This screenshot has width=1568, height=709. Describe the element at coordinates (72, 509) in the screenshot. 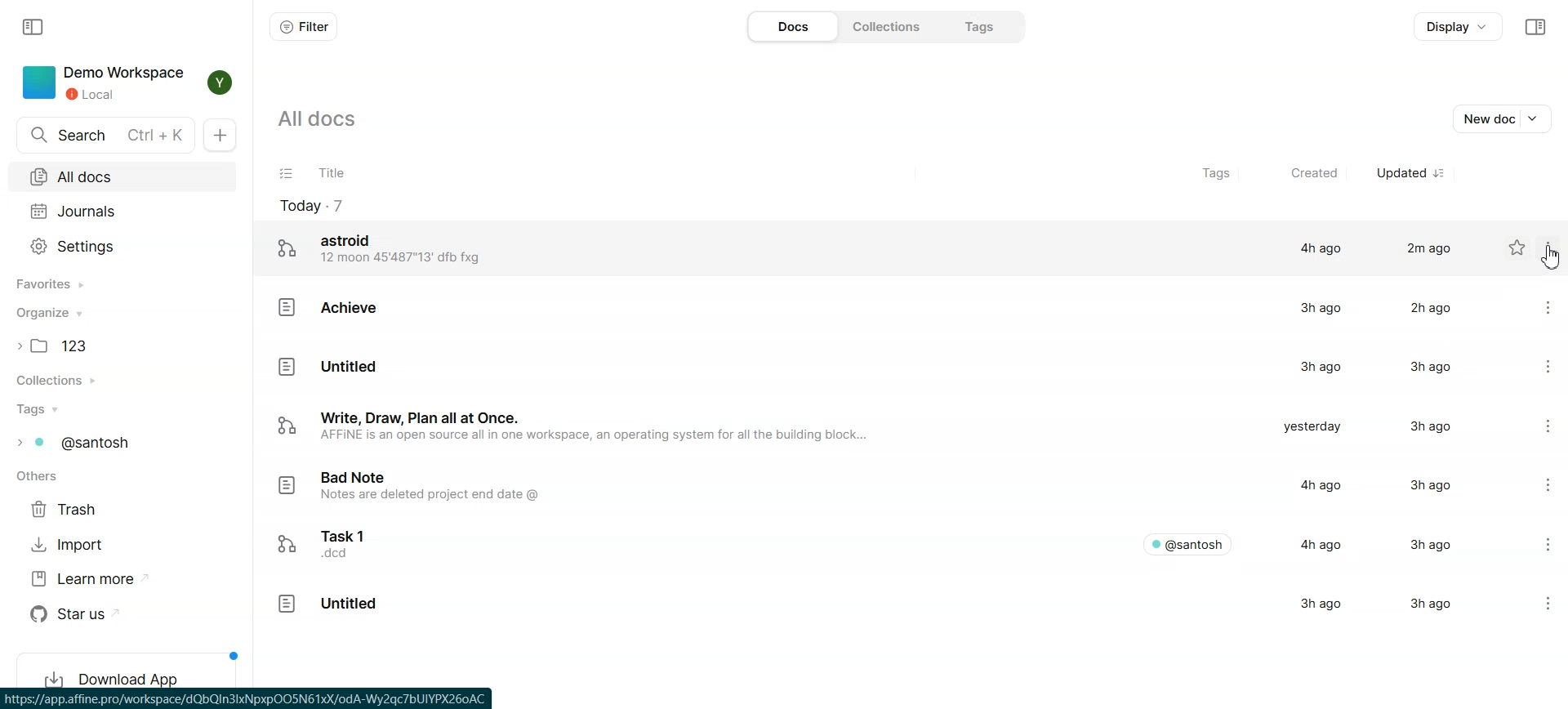

I see `Trash` at that location.